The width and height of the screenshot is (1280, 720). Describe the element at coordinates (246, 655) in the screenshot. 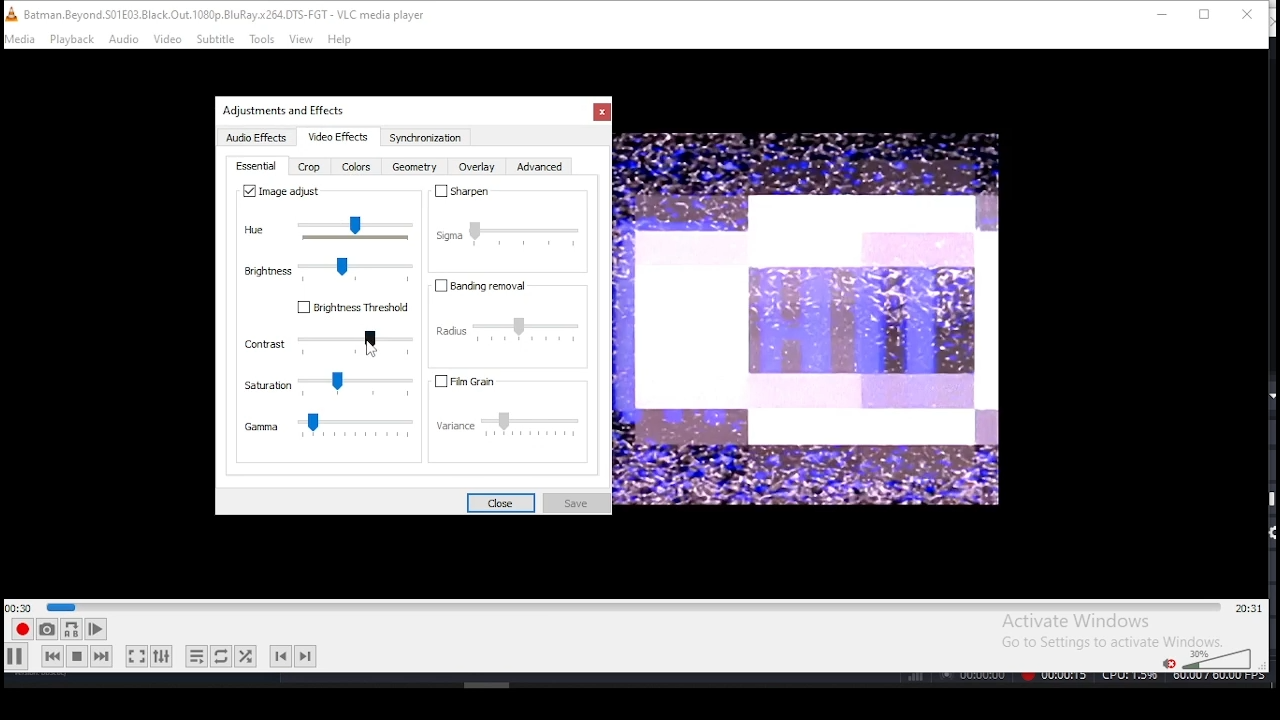

I see `random` at that location.